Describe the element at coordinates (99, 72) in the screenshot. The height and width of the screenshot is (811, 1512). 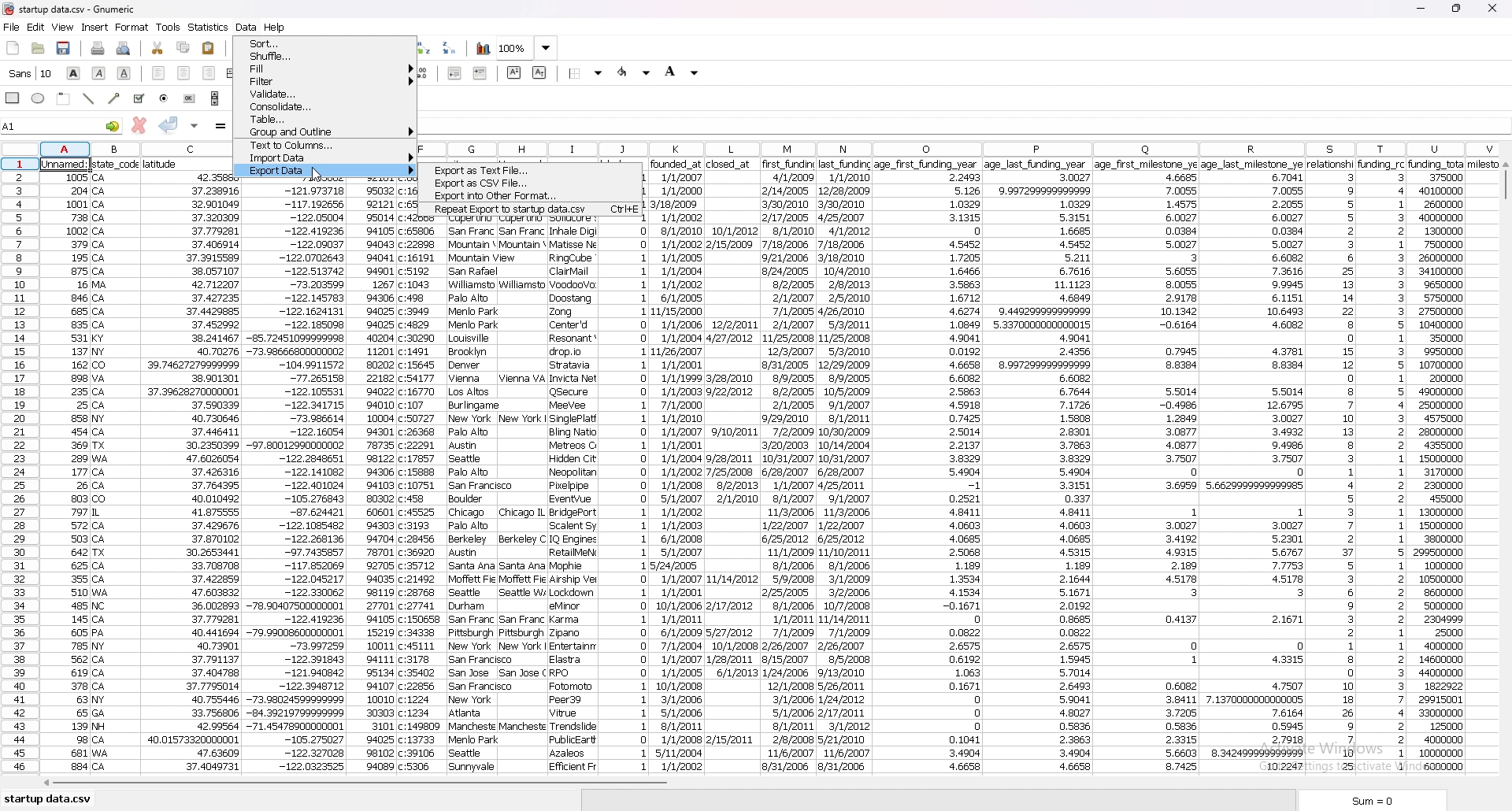
I see `italic` at that location.